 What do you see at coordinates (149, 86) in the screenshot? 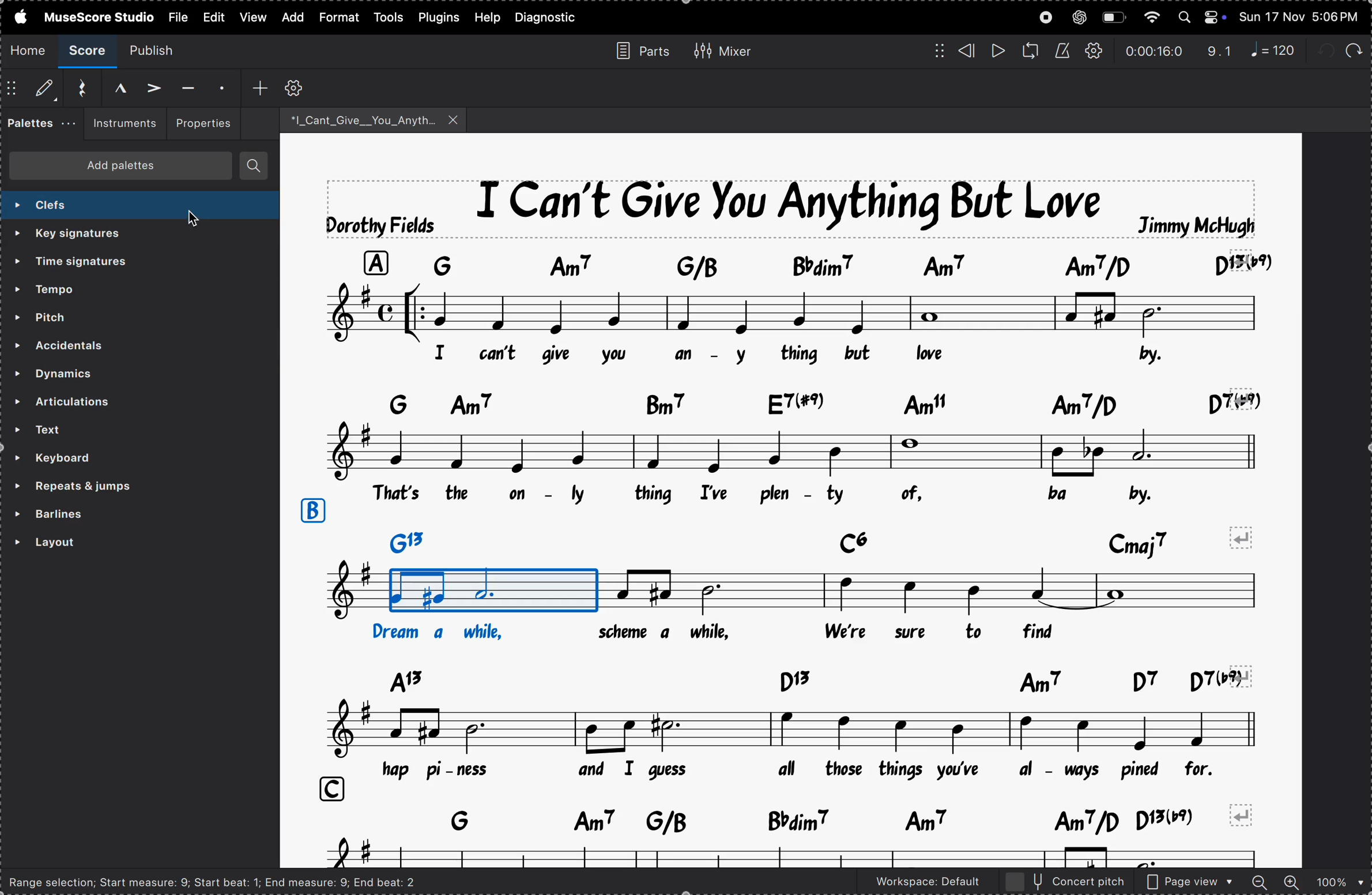
I see `accent` at bounding box center [149, 86].